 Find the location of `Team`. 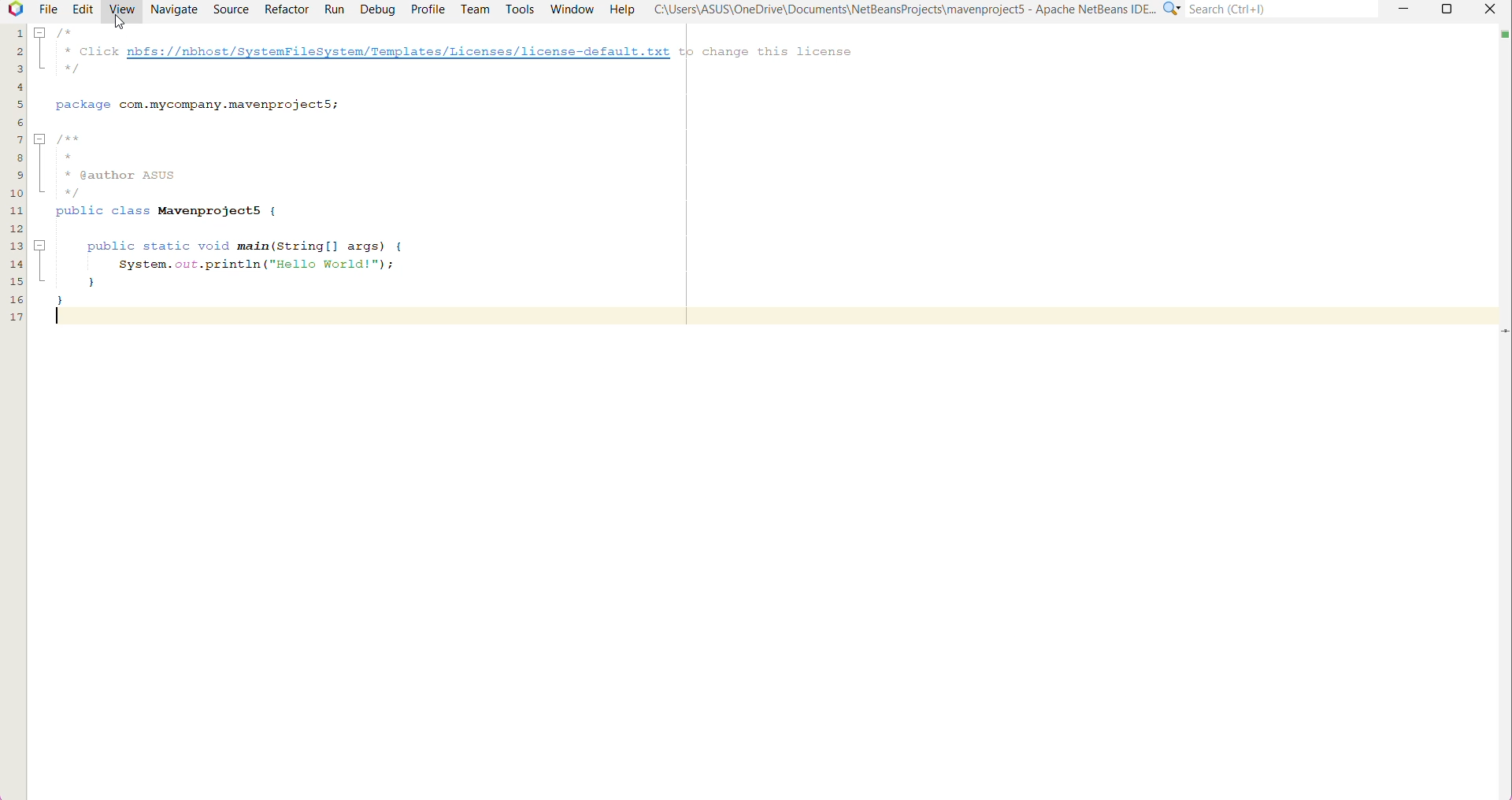

Team is located at coordinates (476, 9).